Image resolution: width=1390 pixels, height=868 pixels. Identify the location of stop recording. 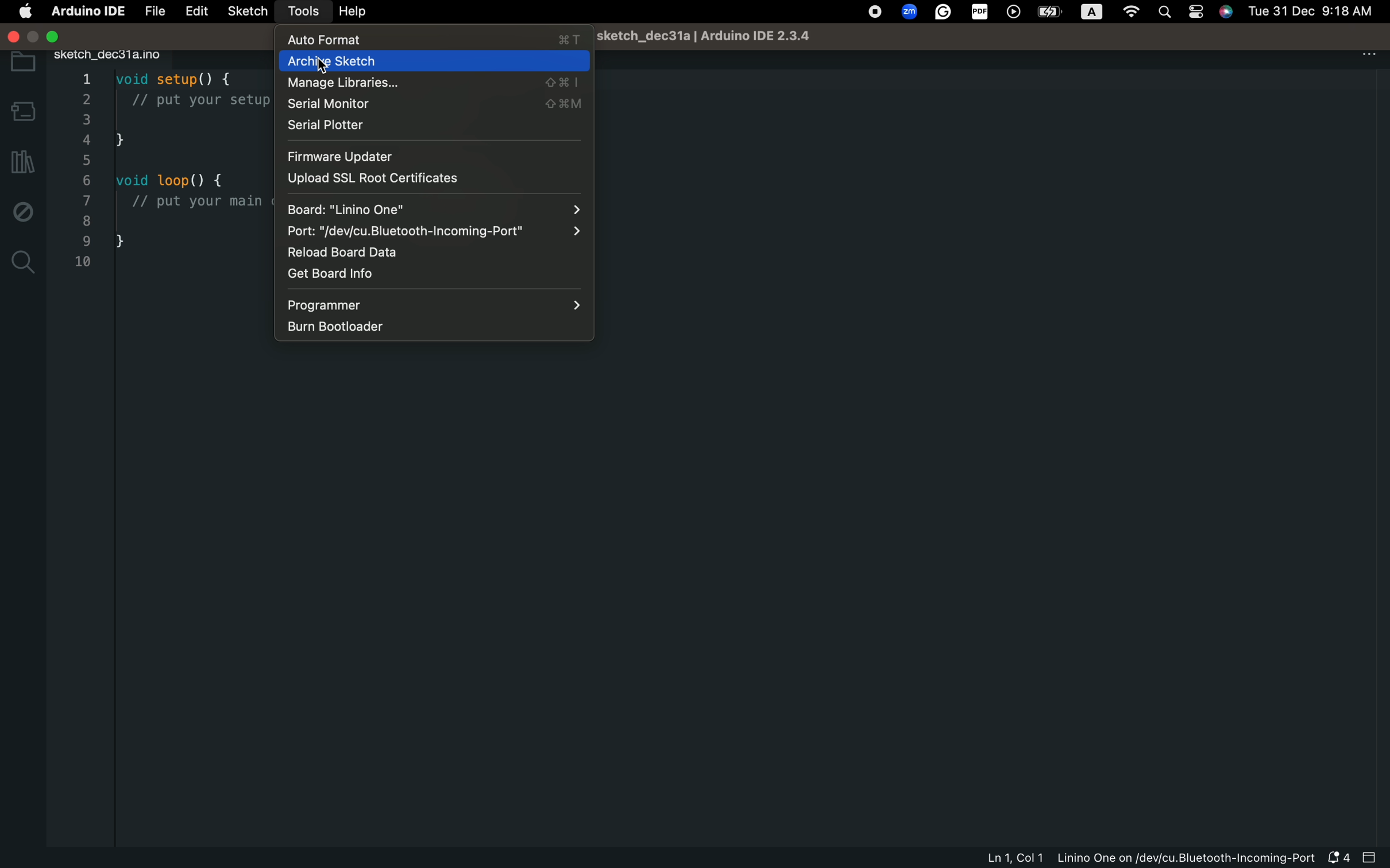
(873, 13).